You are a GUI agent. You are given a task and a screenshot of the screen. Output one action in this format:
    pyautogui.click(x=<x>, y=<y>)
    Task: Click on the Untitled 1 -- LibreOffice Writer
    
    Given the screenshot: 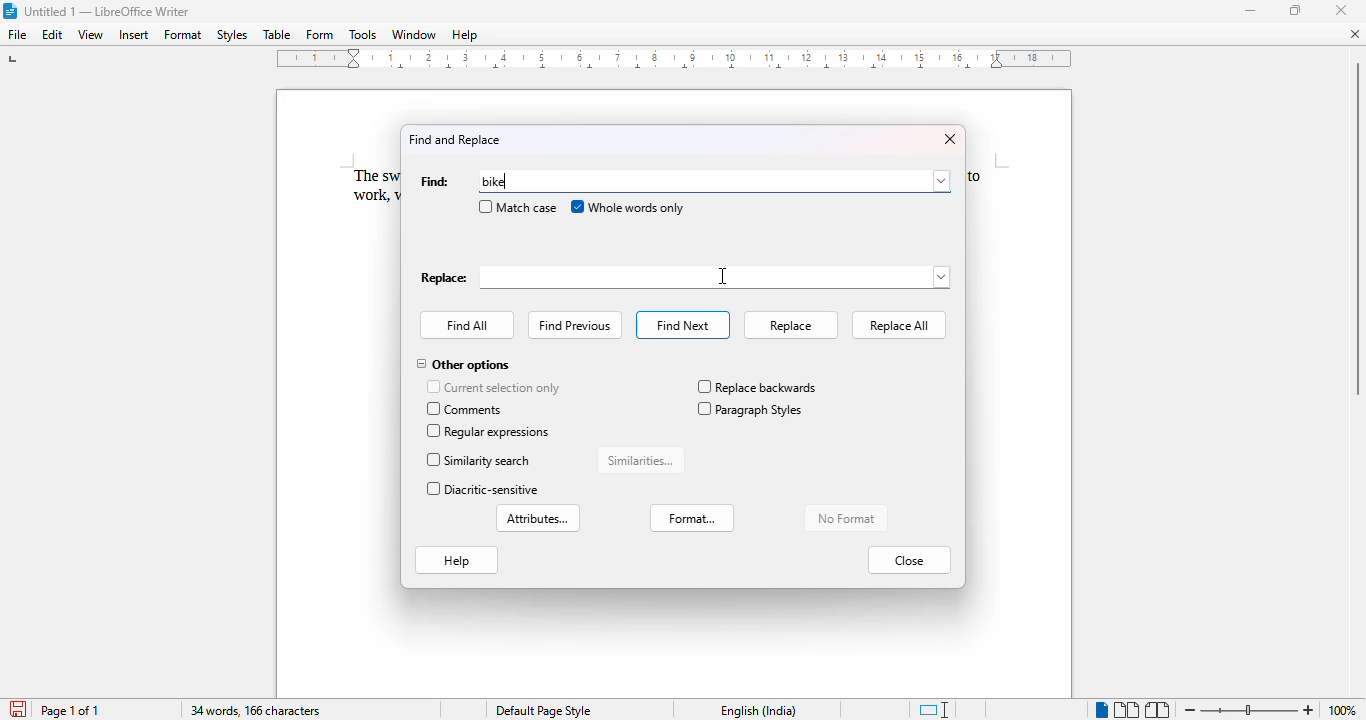 What is the action you would take?
    pyautogui.click(x=108, y=13)
    